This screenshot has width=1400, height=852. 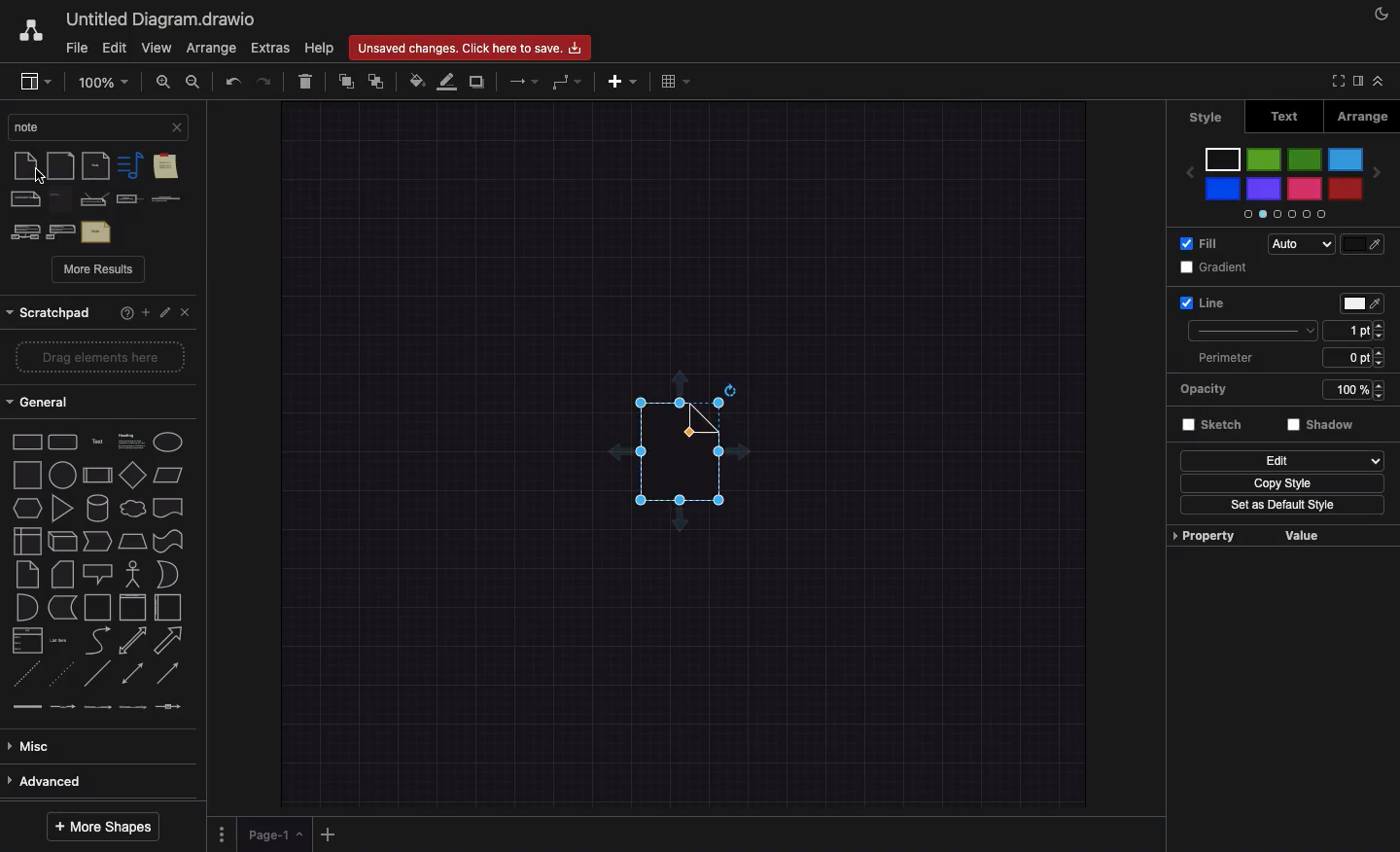 What do you see at coordinates (128, 165) in the screenshot?
I see `note` at bounding box center [128, 165].